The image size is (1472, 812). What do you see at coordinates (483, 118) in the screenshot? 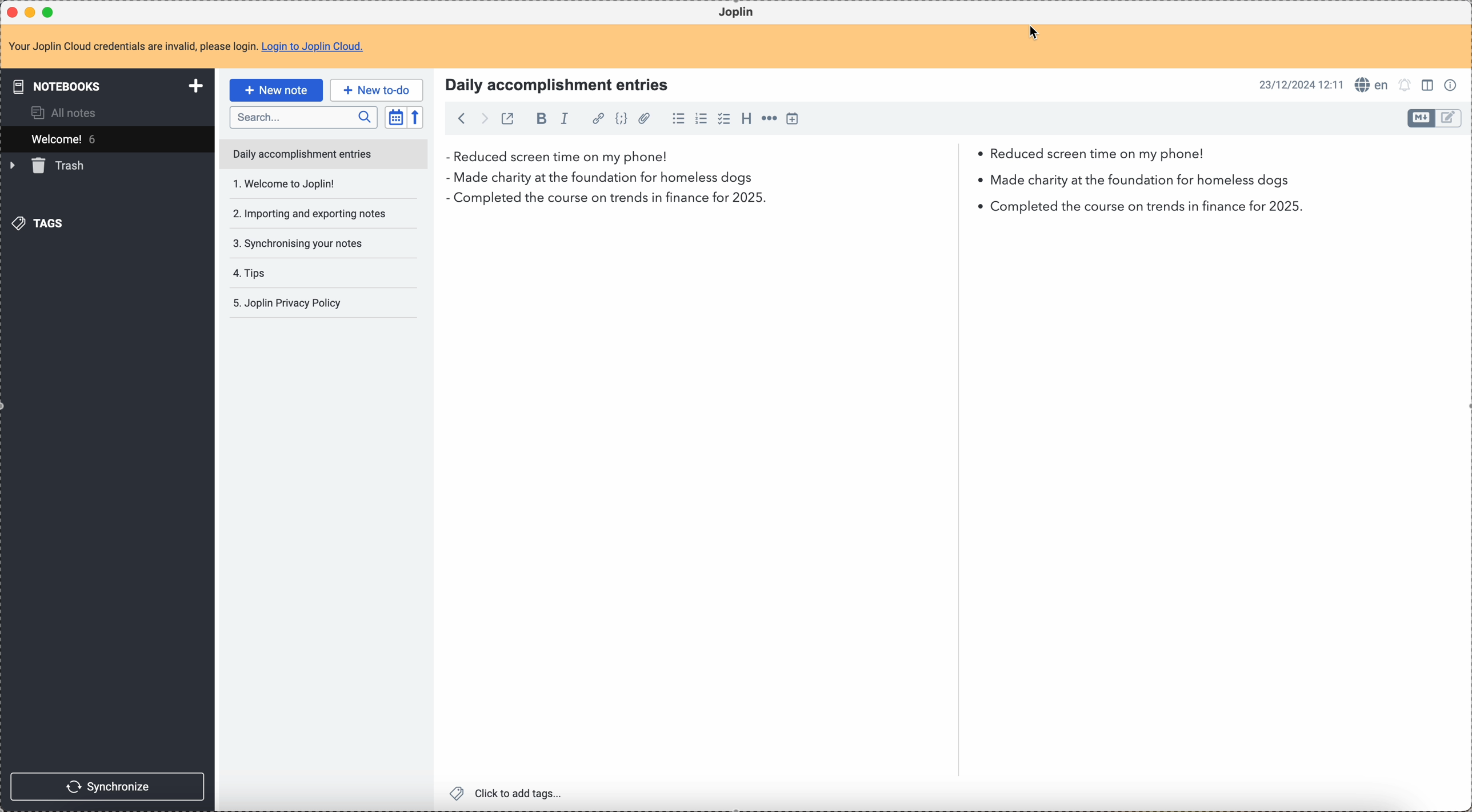
I see `foward` at bounding box center [483, 118].